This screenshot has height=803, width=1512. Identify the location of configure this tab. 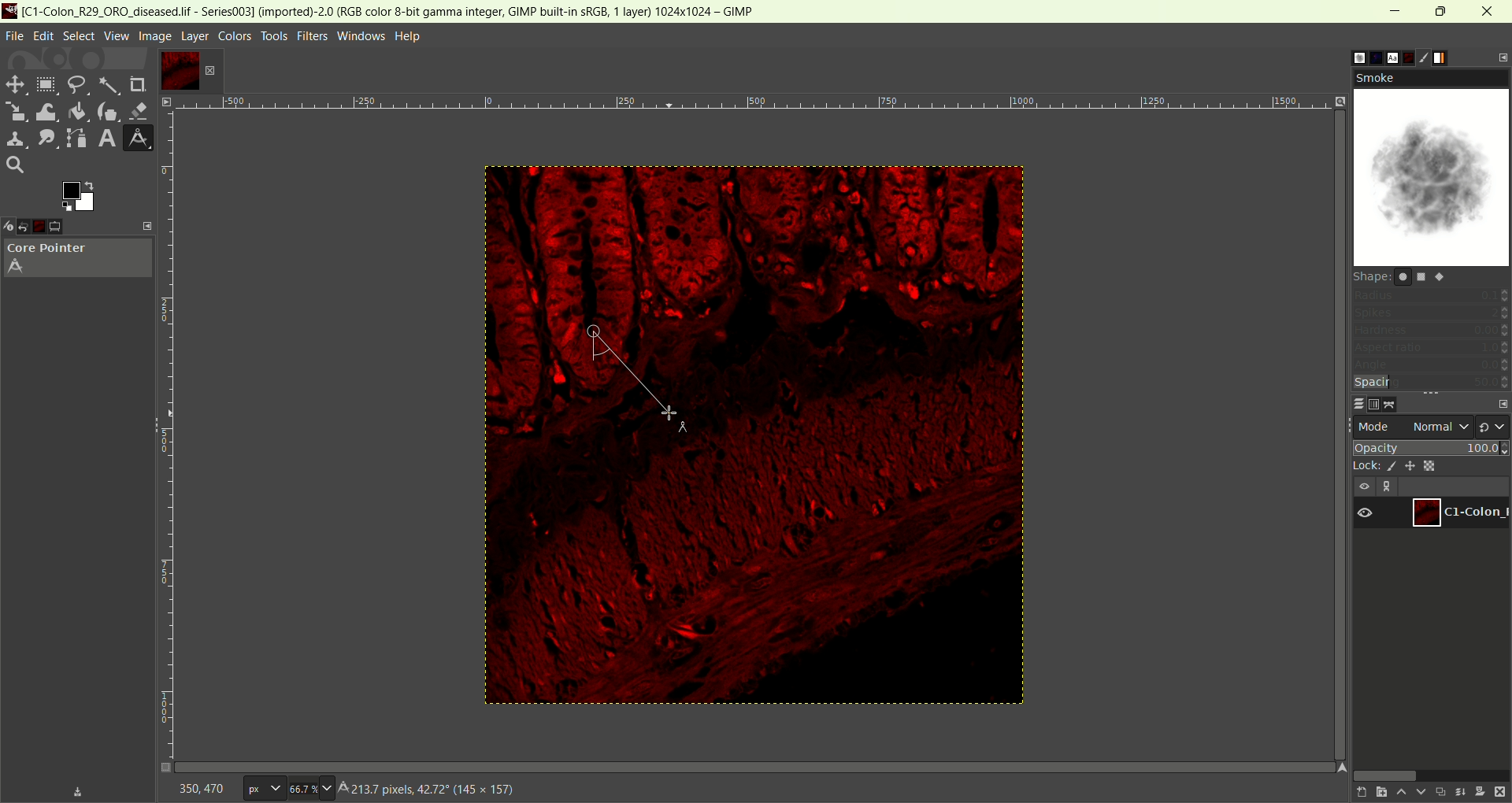
(148, 225).